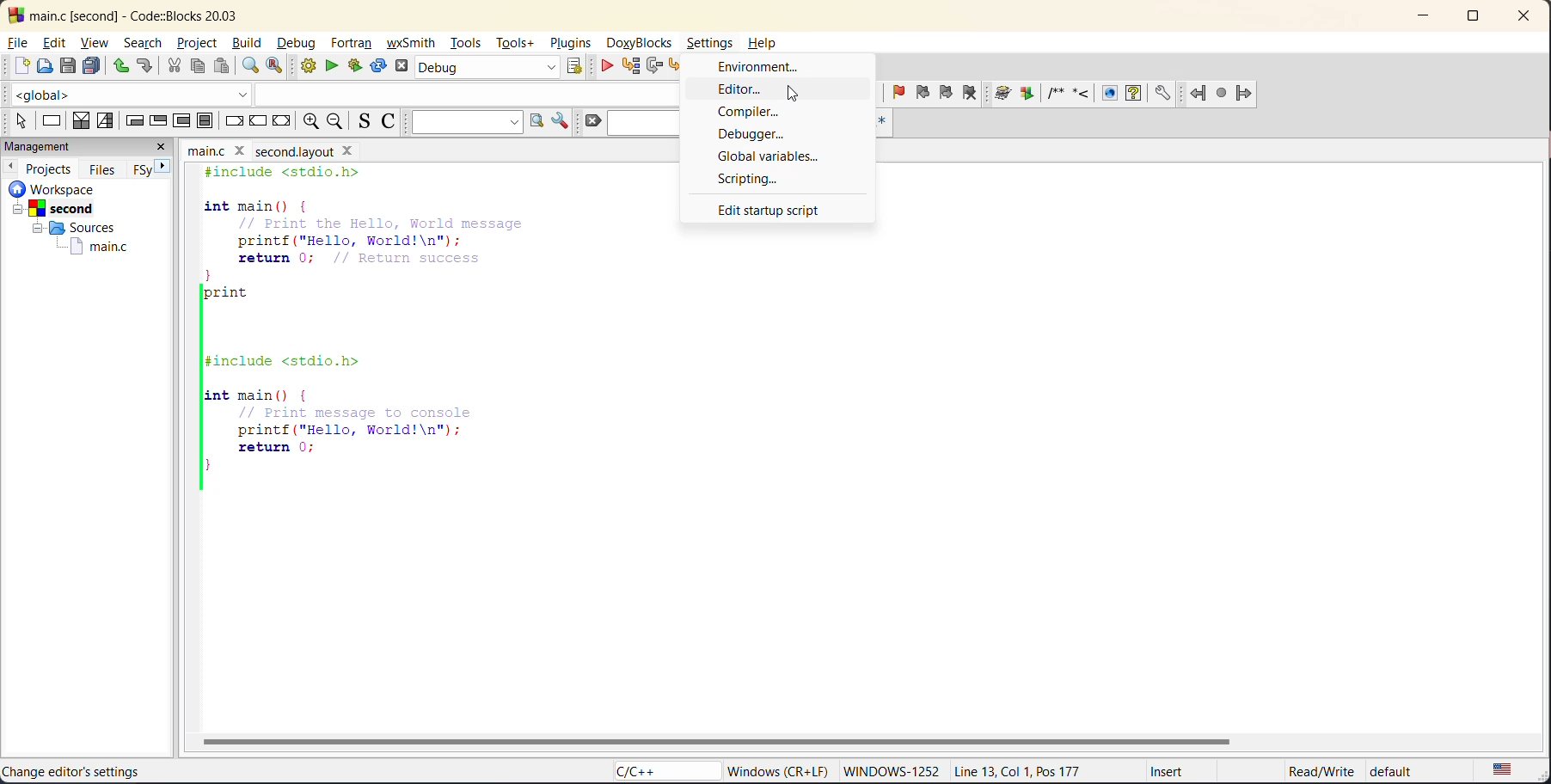 The image size is (1551, 784). Describe the element at coordinates (52, 123) in the screenshot. I see `instruction` at that location.